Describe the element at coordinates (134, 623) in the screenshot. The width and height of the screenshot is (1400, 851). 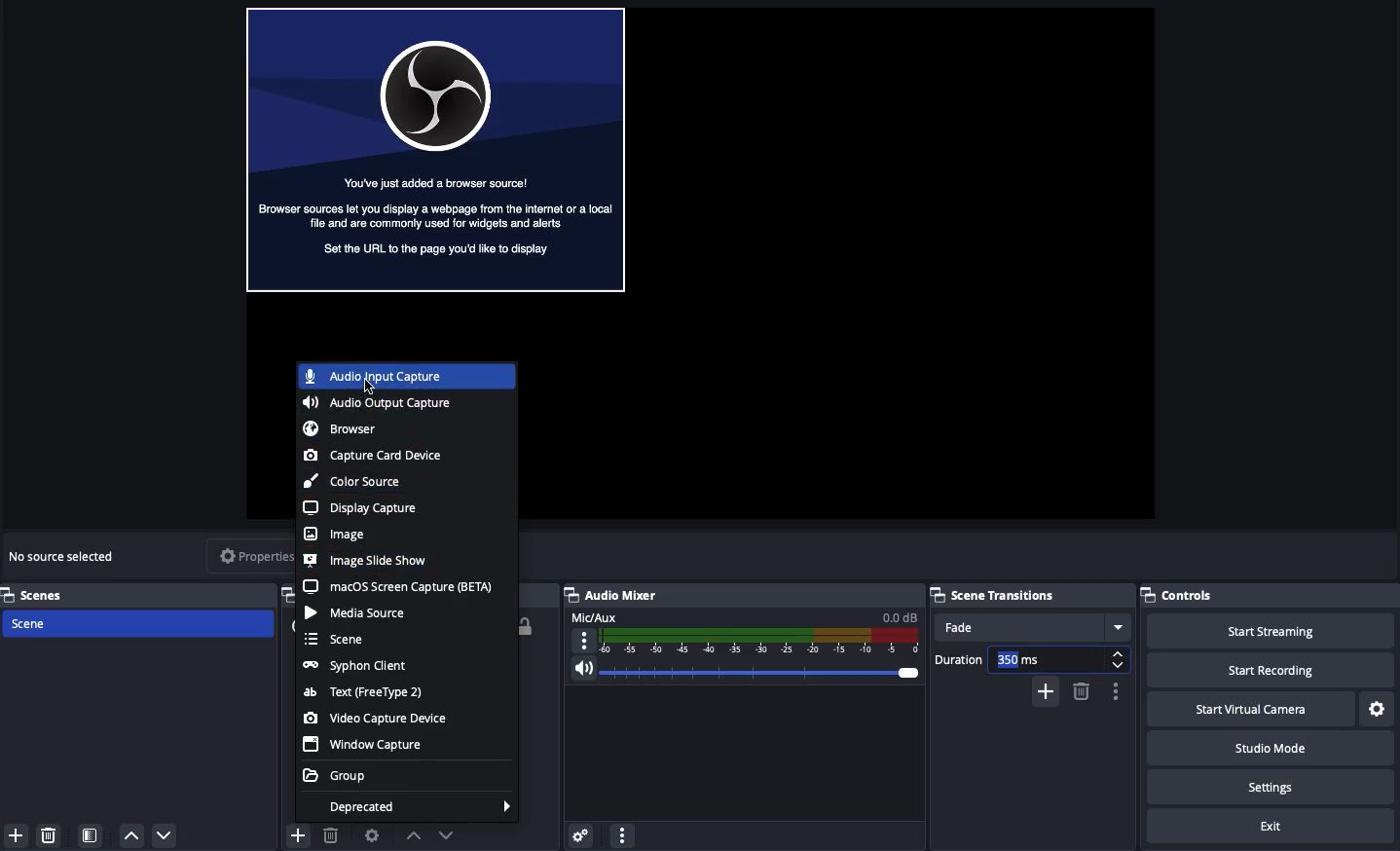
I see `Scene` at that location.